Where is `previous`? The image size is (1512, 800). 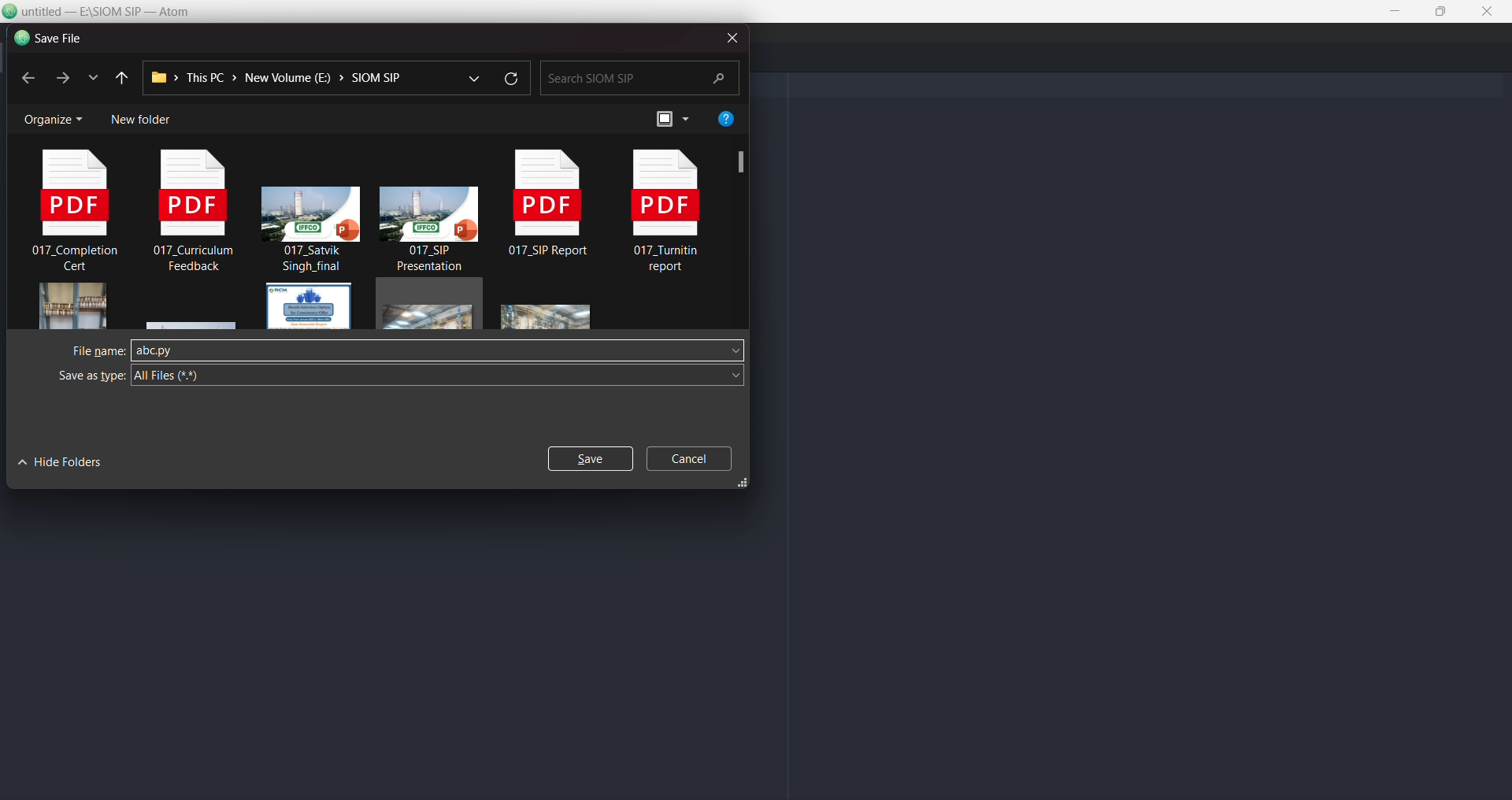 previous is located at coordinates (27, 78).